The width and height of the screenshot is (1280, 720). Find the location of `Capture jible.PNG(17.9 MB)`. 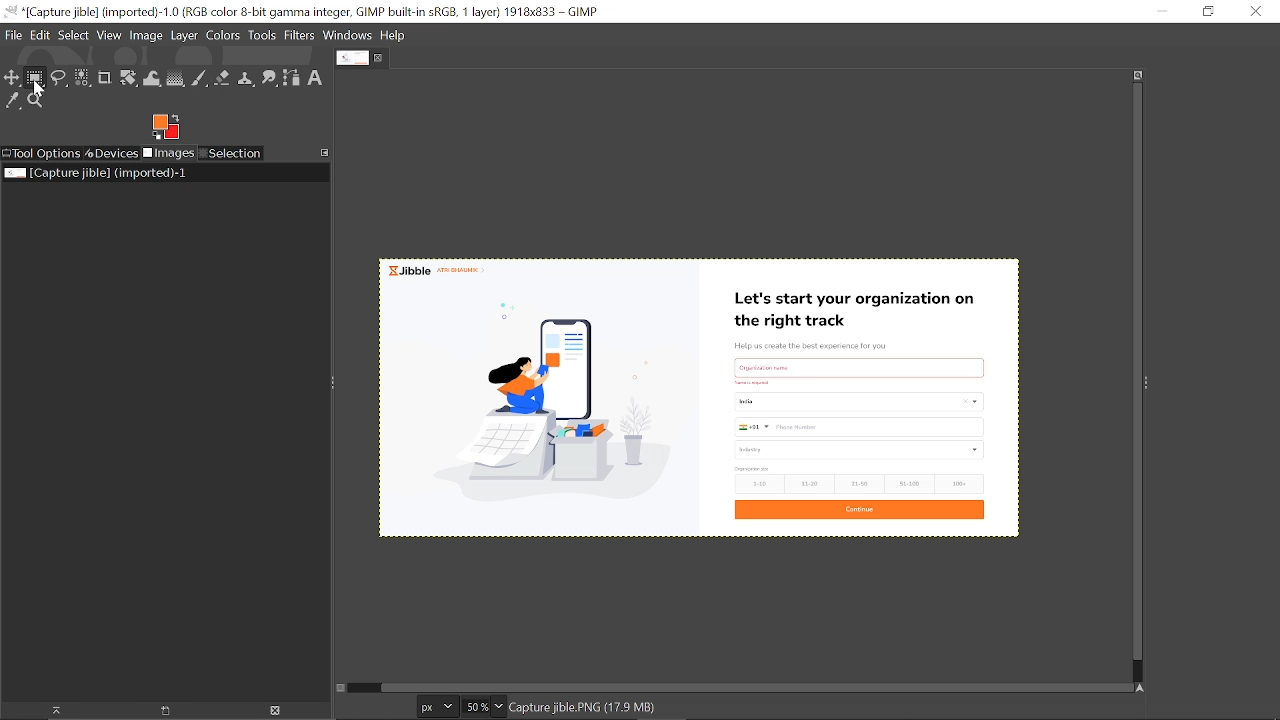

Capture jible.PNG(17.9 MB) is located at coordinates (583, 708).